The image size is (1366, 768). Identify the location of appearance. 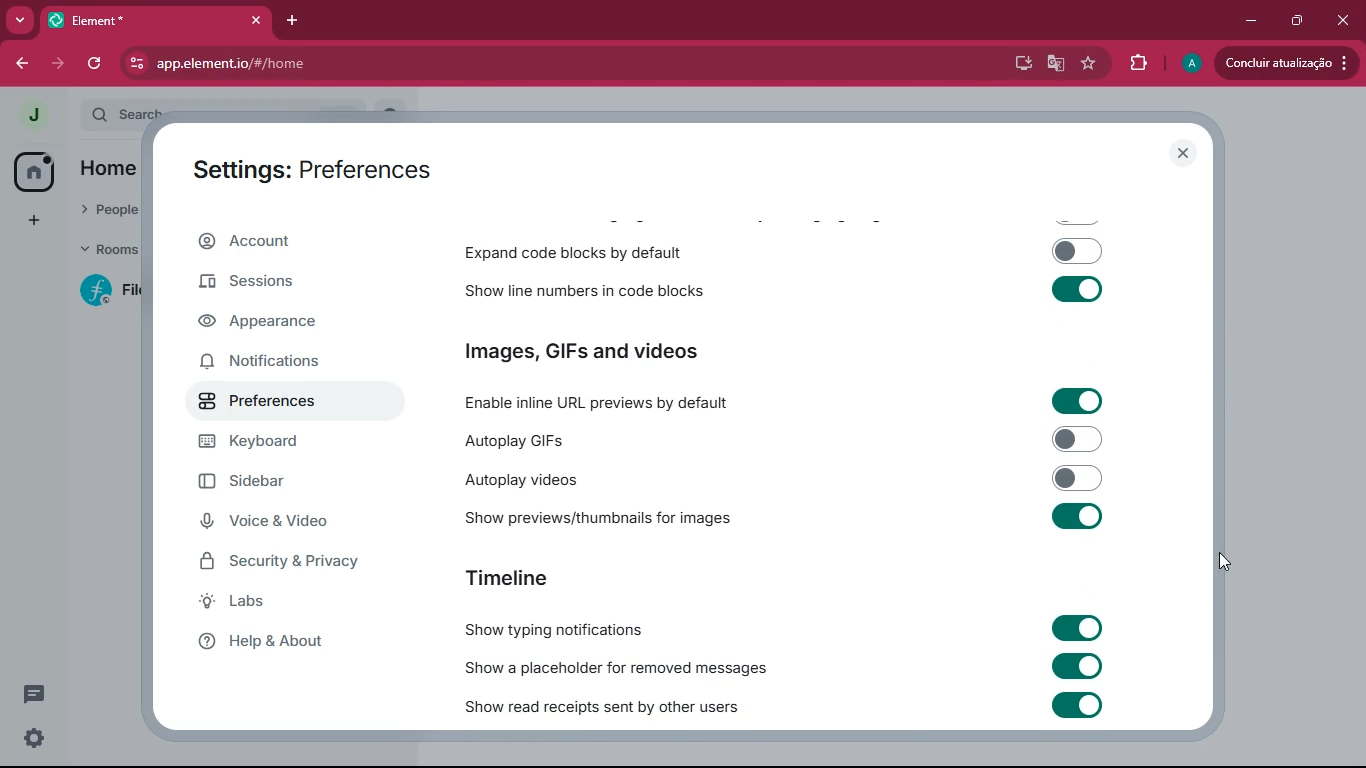
(275, 323).